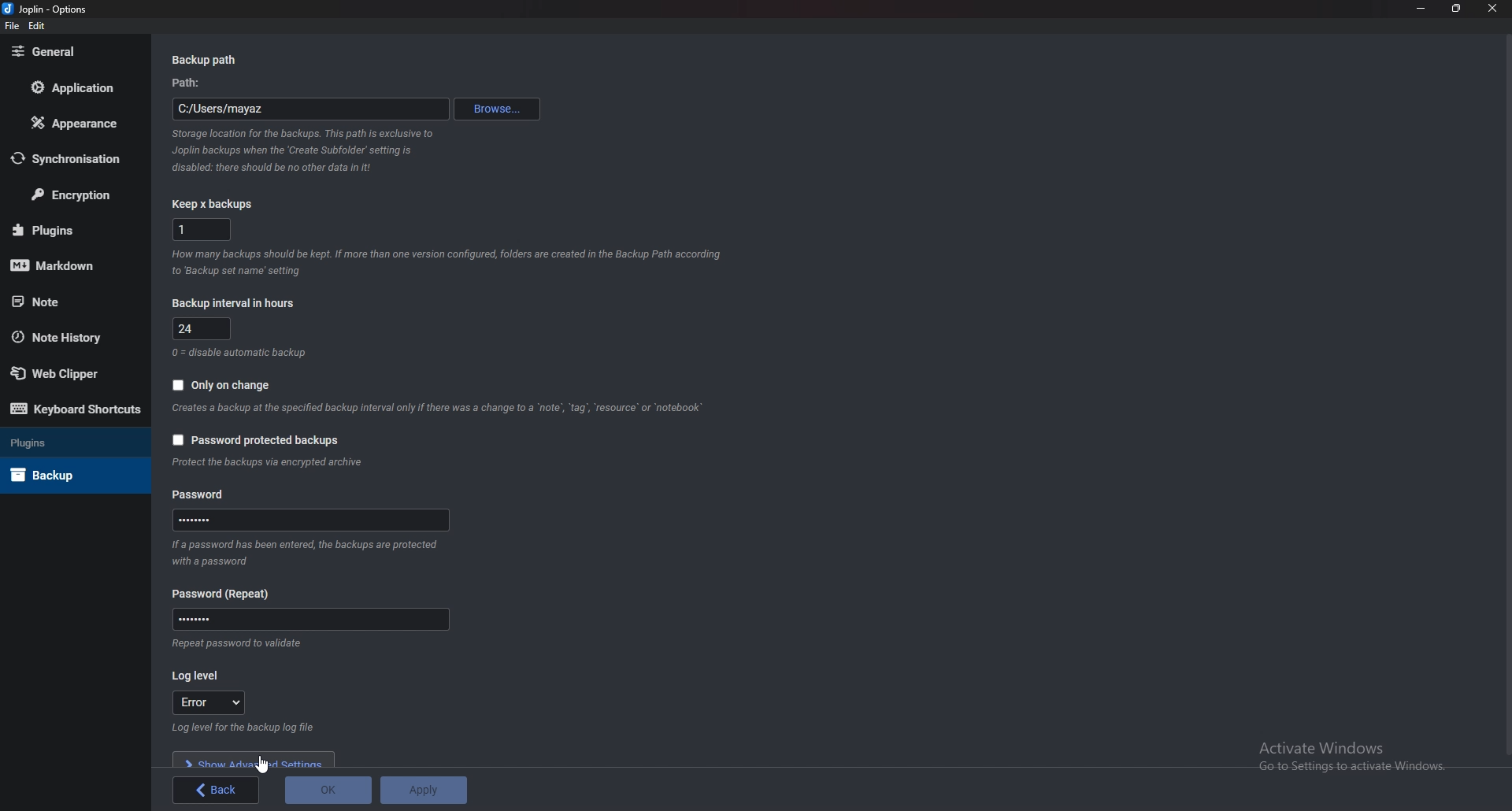 This screenshot has width=1512, height=811. Describe the element at coordinates (217, 204) in the screenshot. I see `Keep x backups` at that location.